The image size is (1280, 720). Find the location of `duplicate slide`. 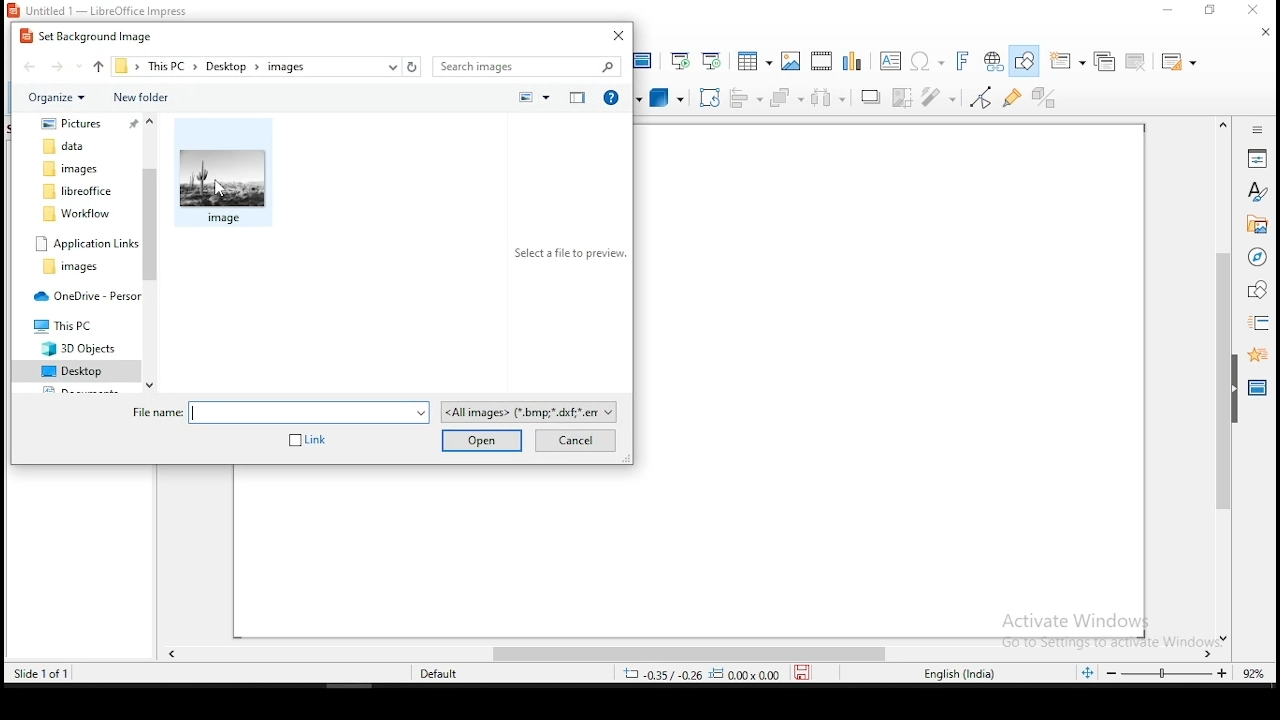

duplicate slide is located at coordinates (1103, 62).